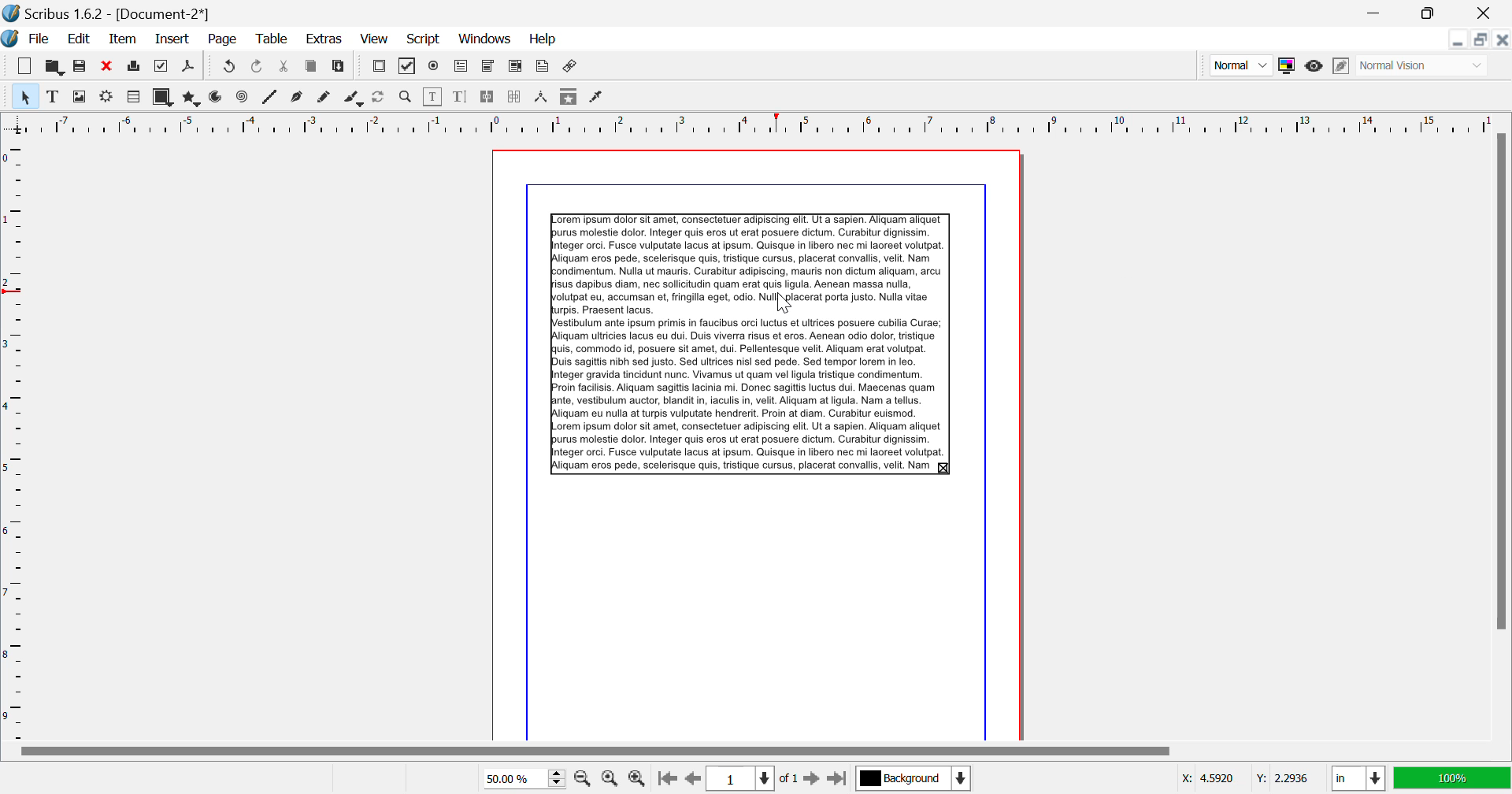  Describe the element at coordinates (1459, 39) in the screenshot. I see `Restore Down` at that location.